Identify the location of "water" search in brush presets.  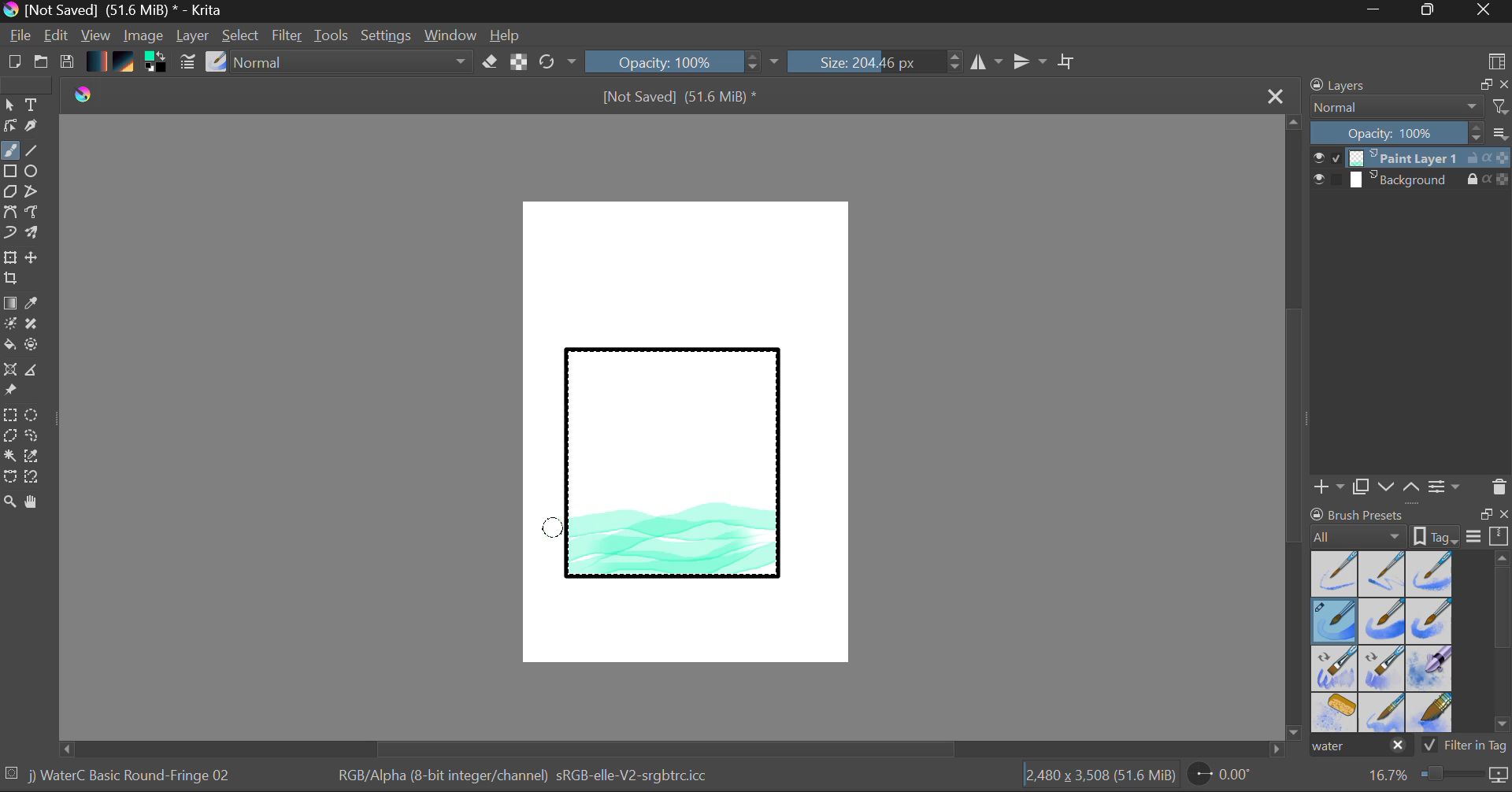
(1359, 749).